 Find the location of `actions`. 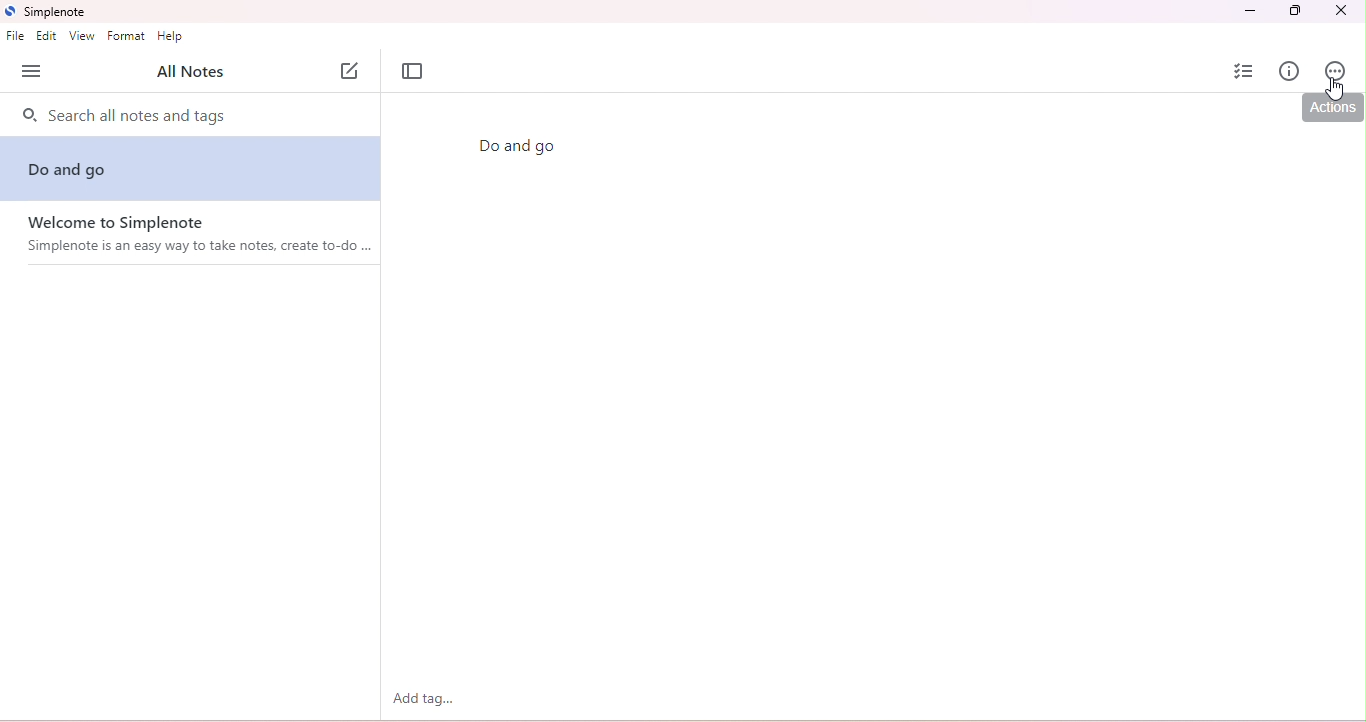

actions is located at coordinates (1334, 108).